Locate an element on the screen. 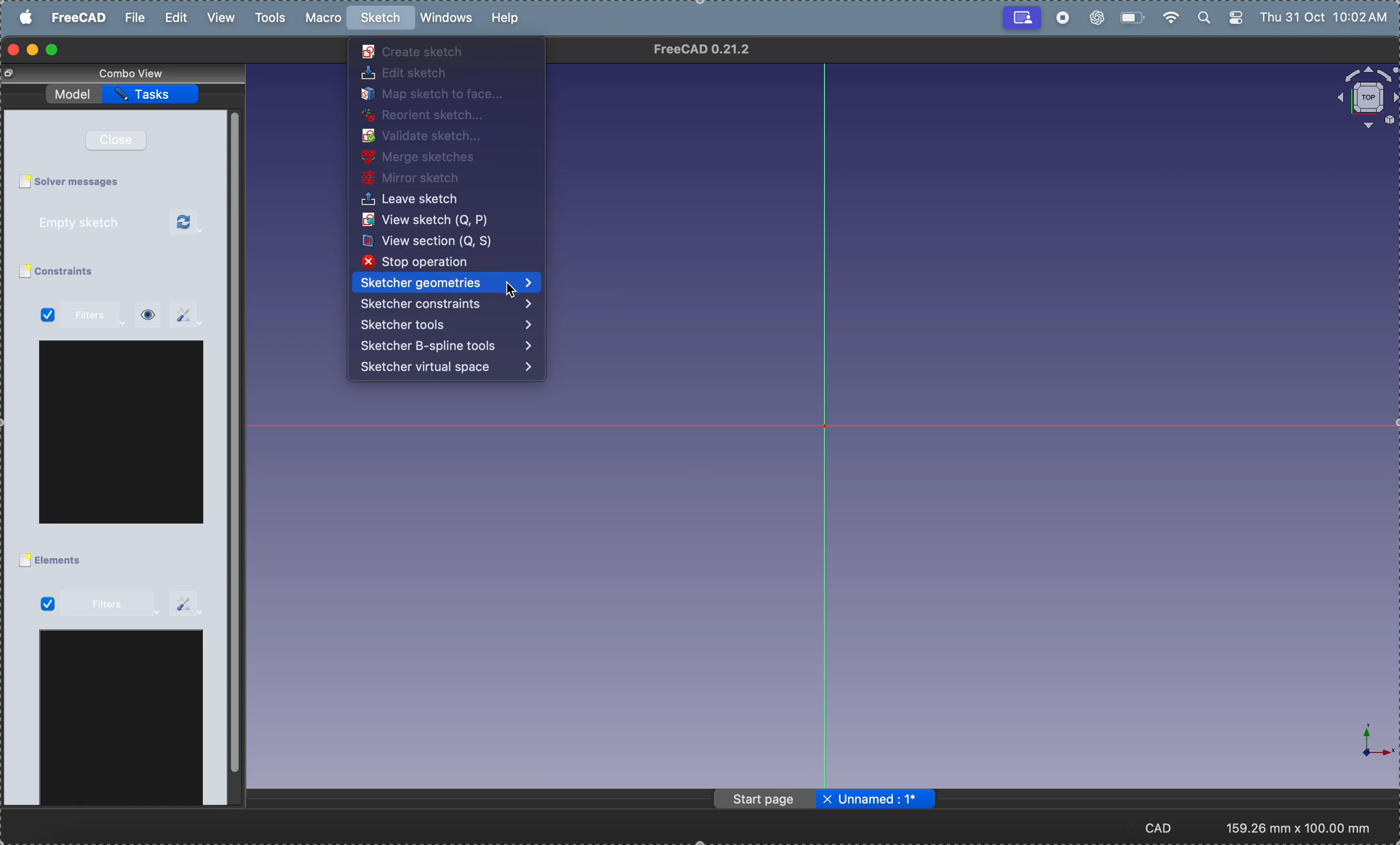 This screenshot has height=845, width=1400. view section is located at coordinates (430, 242).